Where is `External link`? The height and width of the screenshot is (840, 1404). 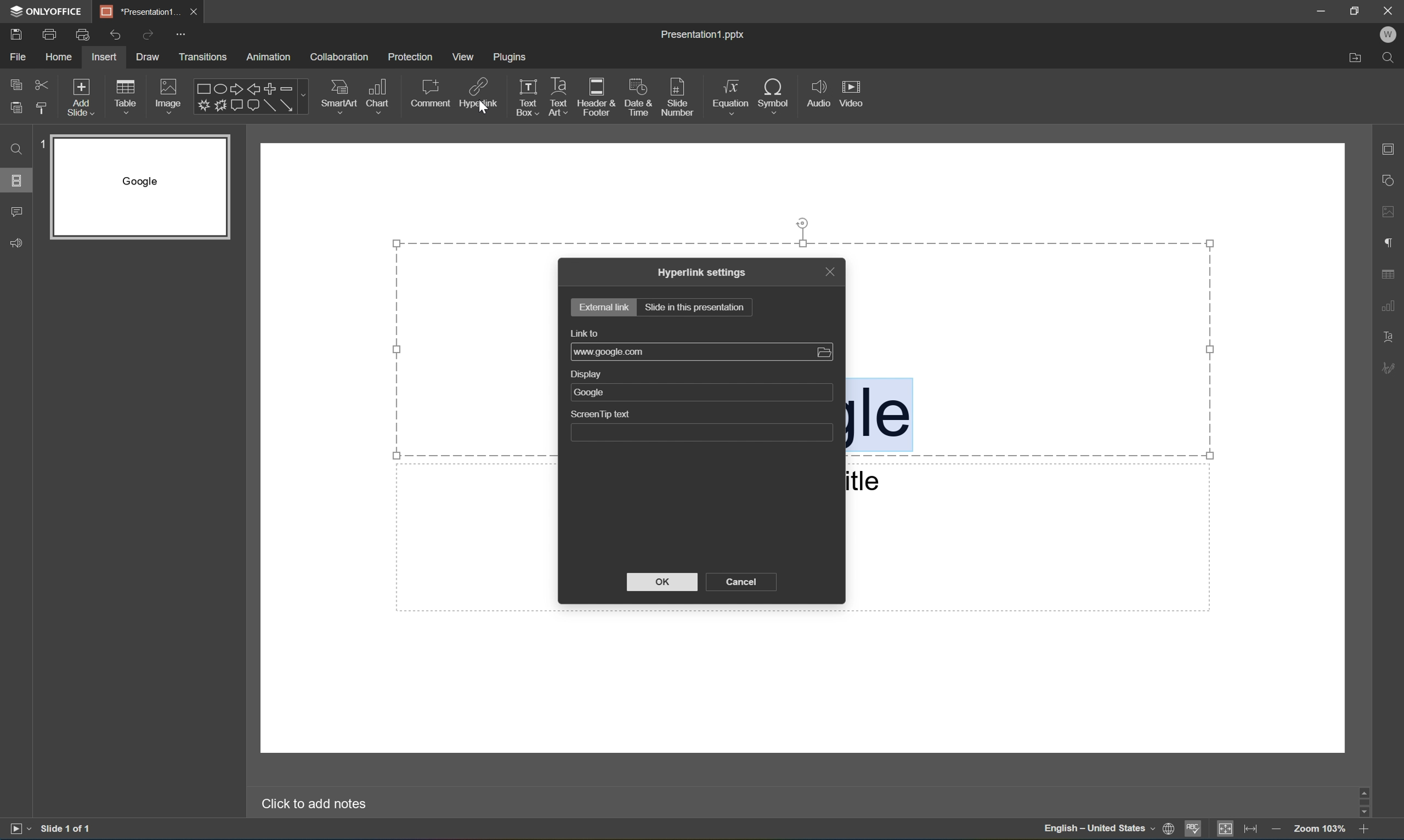 External link is located at coordinates (605, 306).